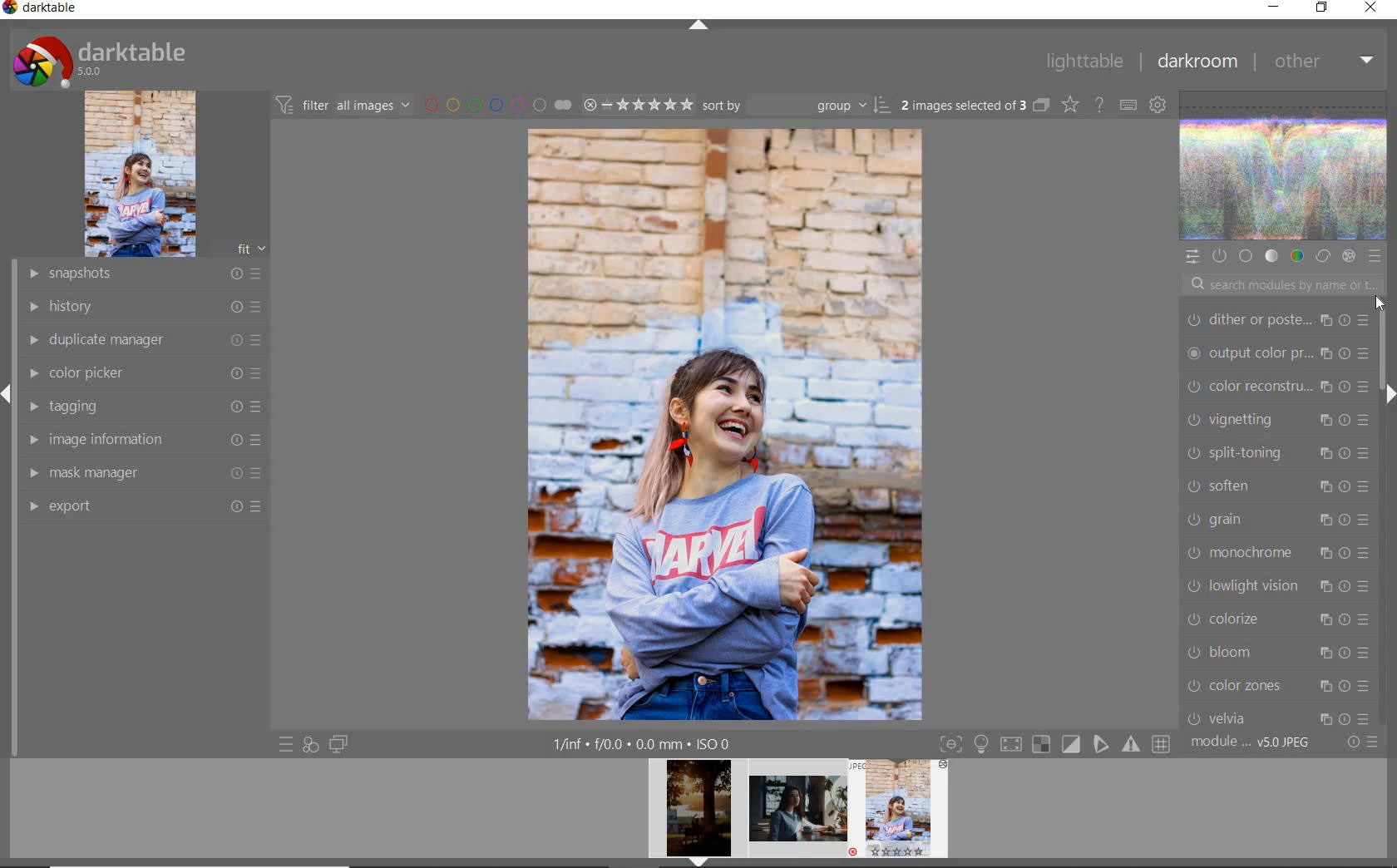  I want to click on DARKROOM, so click(1197, 62).